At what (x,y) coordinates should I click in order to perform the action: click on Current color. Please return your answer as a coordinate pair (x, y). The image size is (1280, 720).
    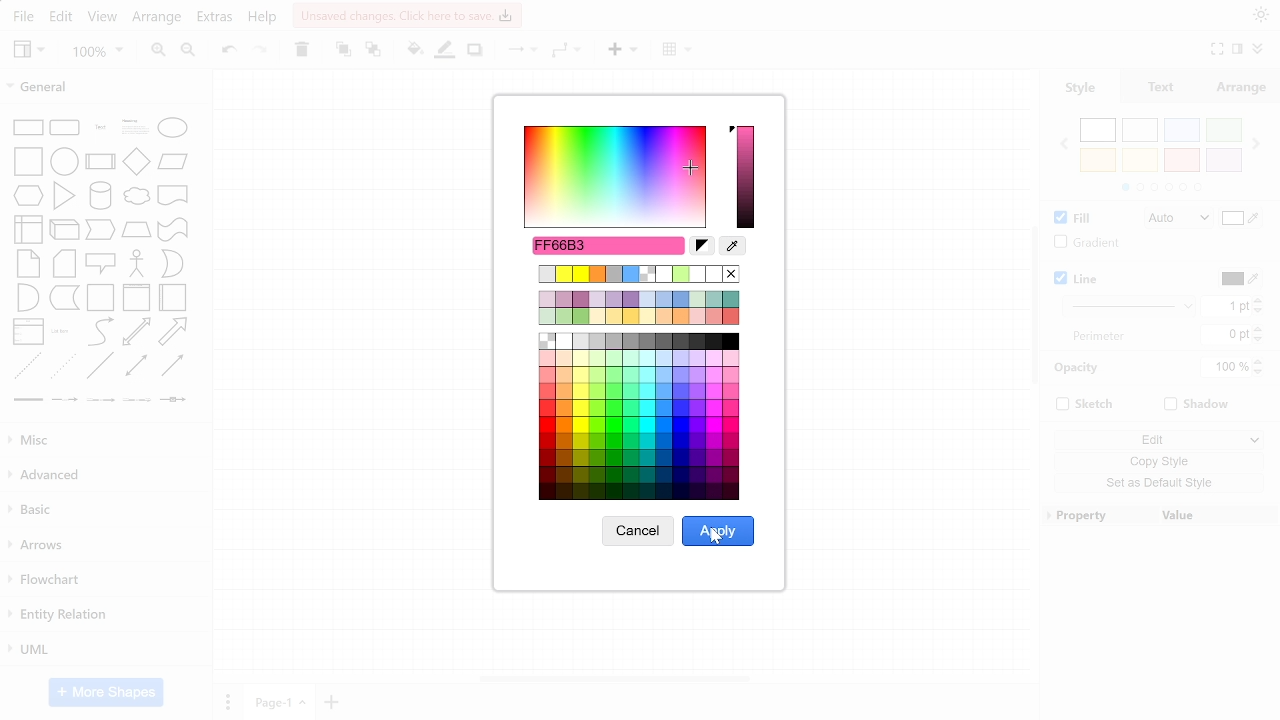
    Looking at the image, I should click on (609, 245).